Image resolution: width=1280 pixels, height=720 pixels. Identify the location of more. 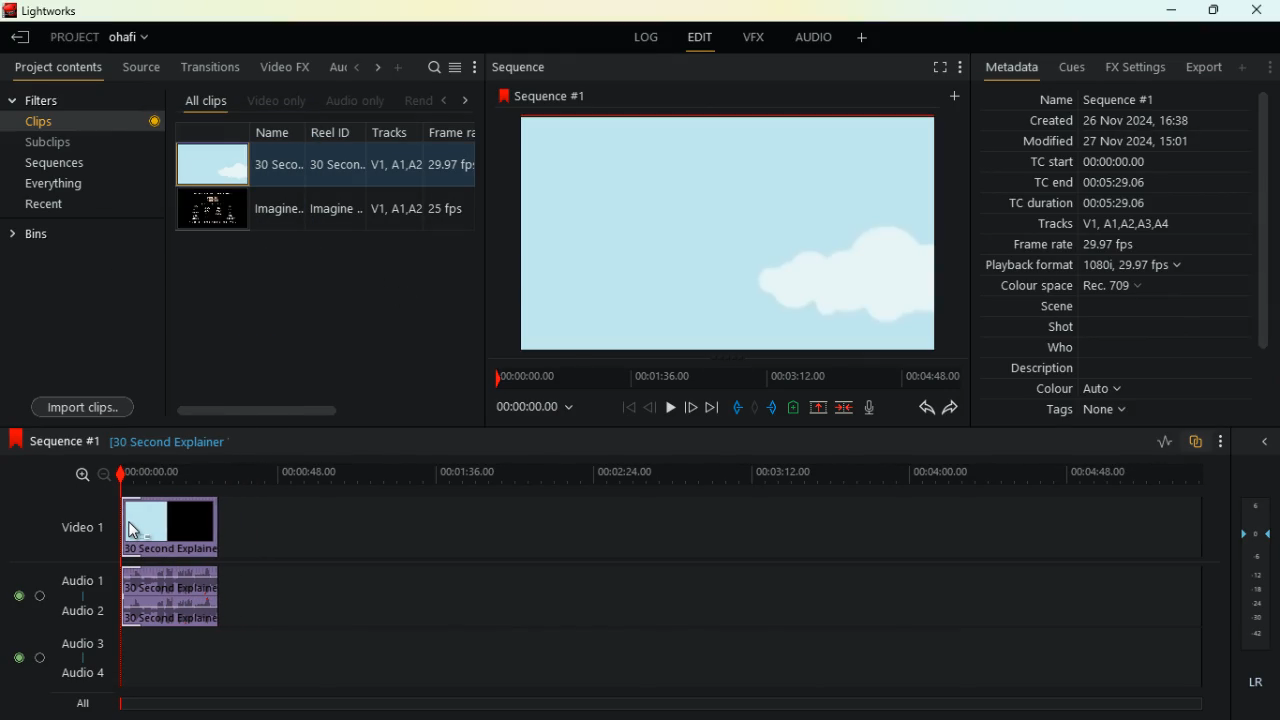
(403, 69).